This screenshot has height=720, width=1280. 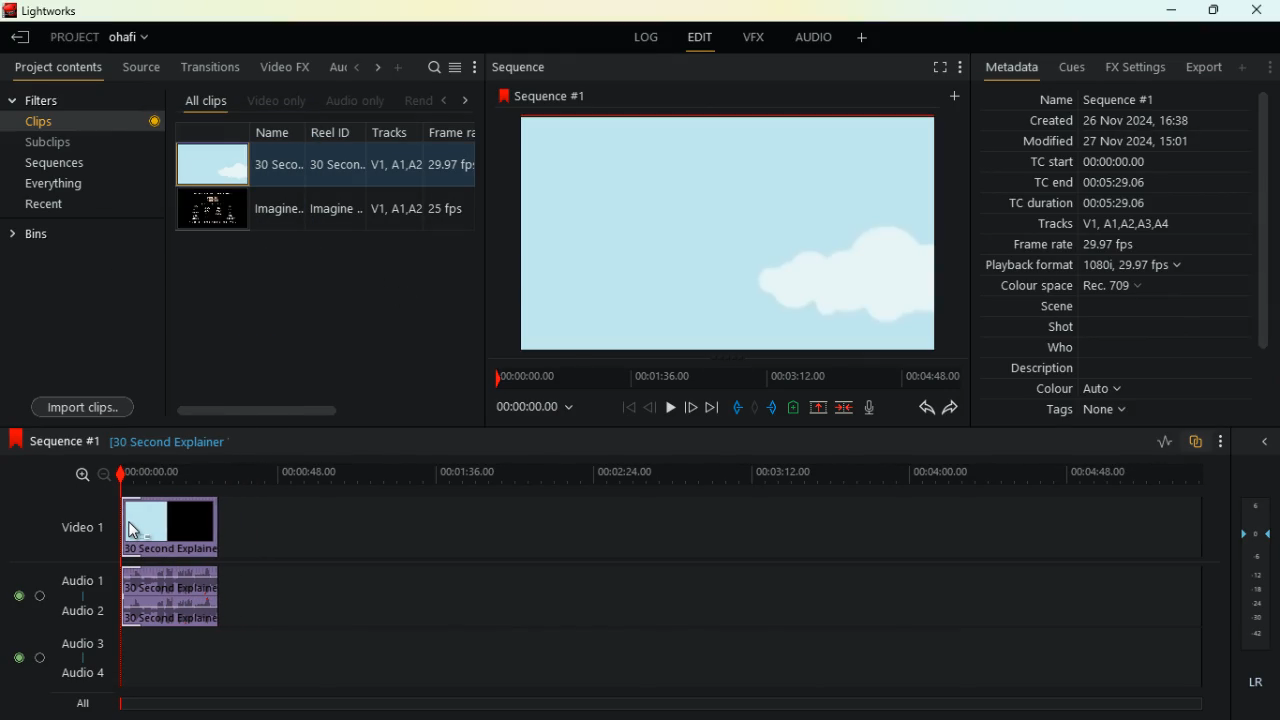 What do you see at coordinates (843, 407) in the screenshot?
I see `merge` at bounding box center [843, 407].